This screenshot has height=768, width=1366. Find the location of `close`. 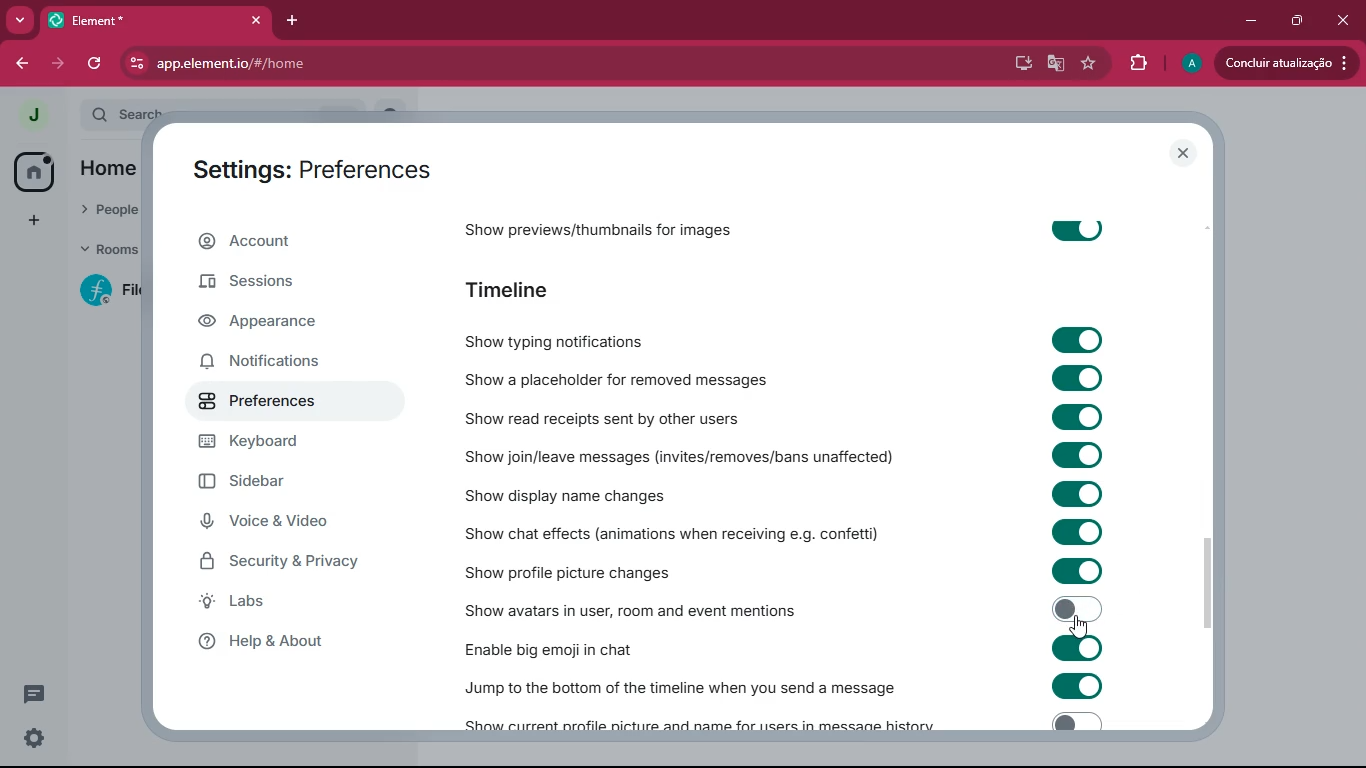

close is located at coordinates (1184, 154).